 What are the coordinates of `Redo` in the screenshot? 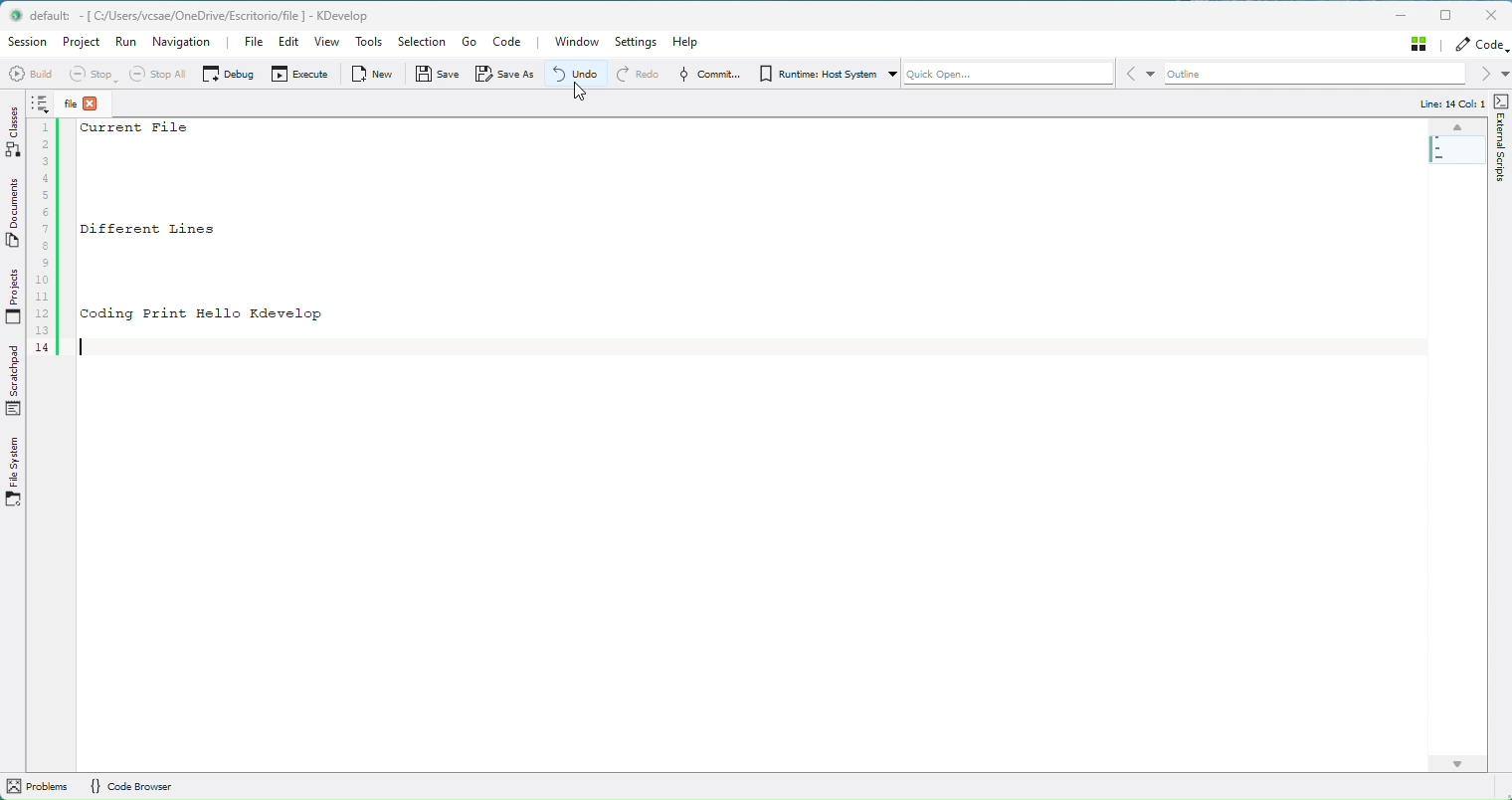 It's located at (645, 77).